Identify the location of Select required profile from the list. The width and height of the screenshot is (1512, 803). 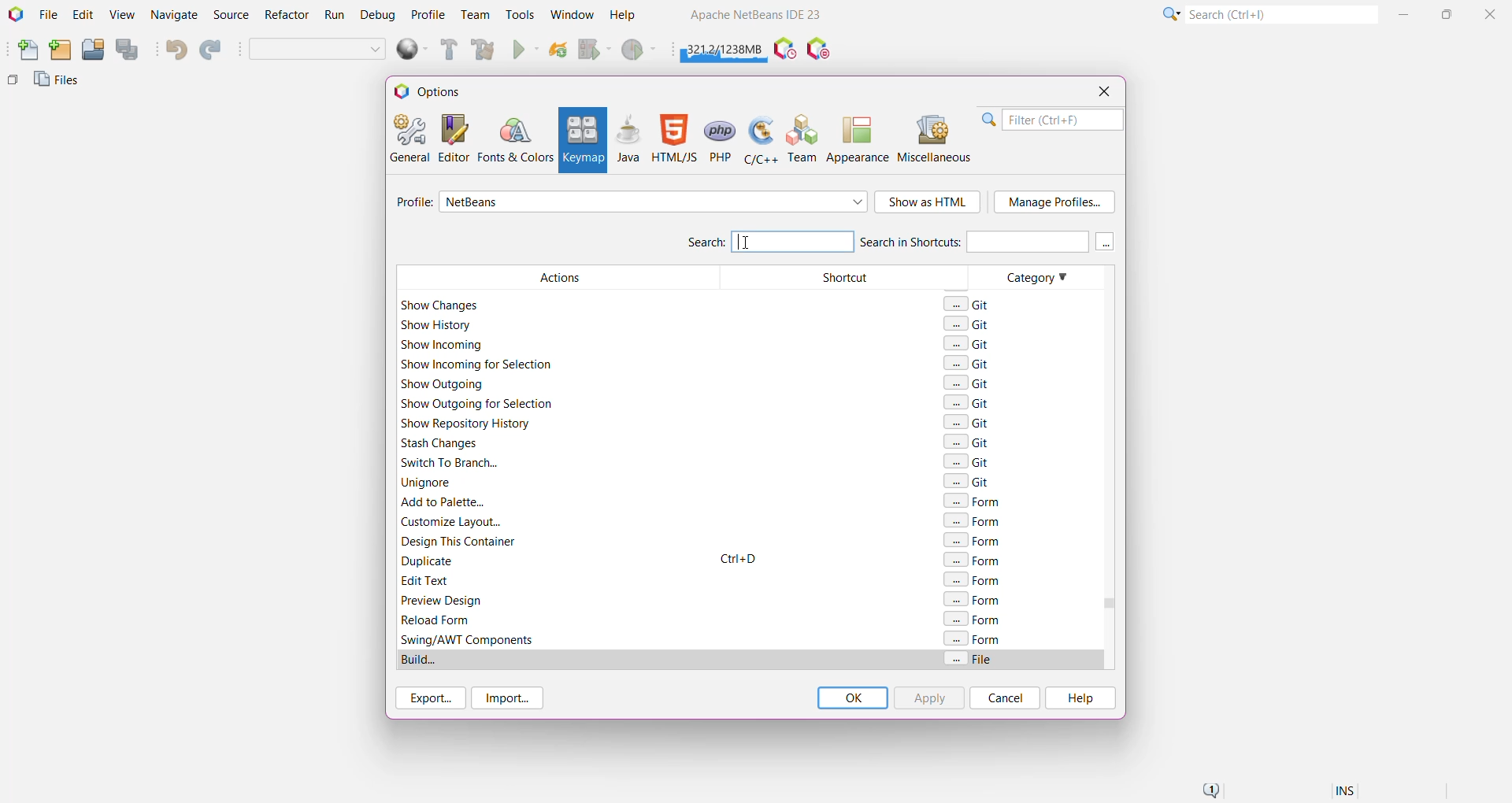
(654, 202).